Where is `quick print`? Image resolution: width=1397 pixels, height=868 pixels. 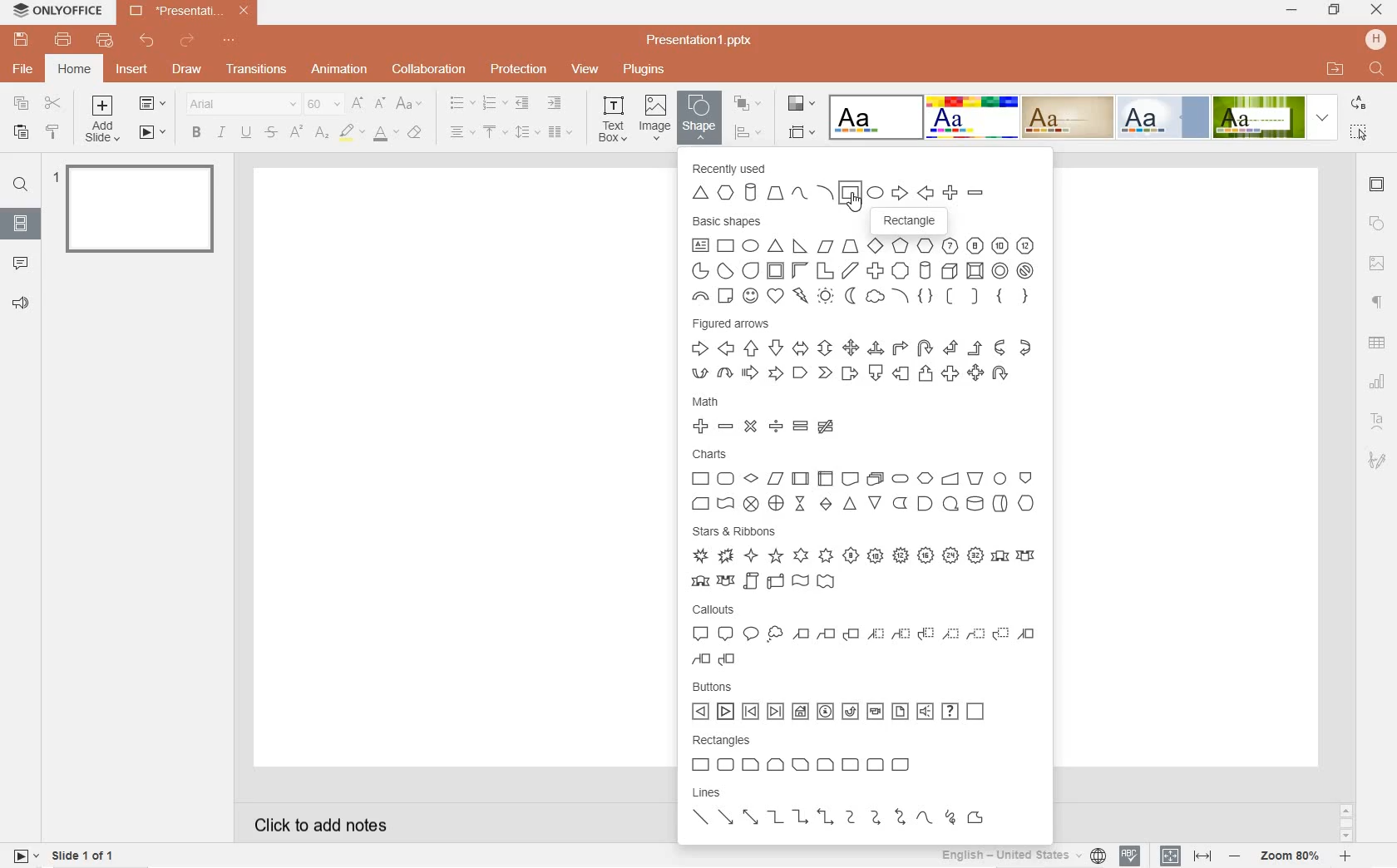
quick print is located at coordinates (104, 42).